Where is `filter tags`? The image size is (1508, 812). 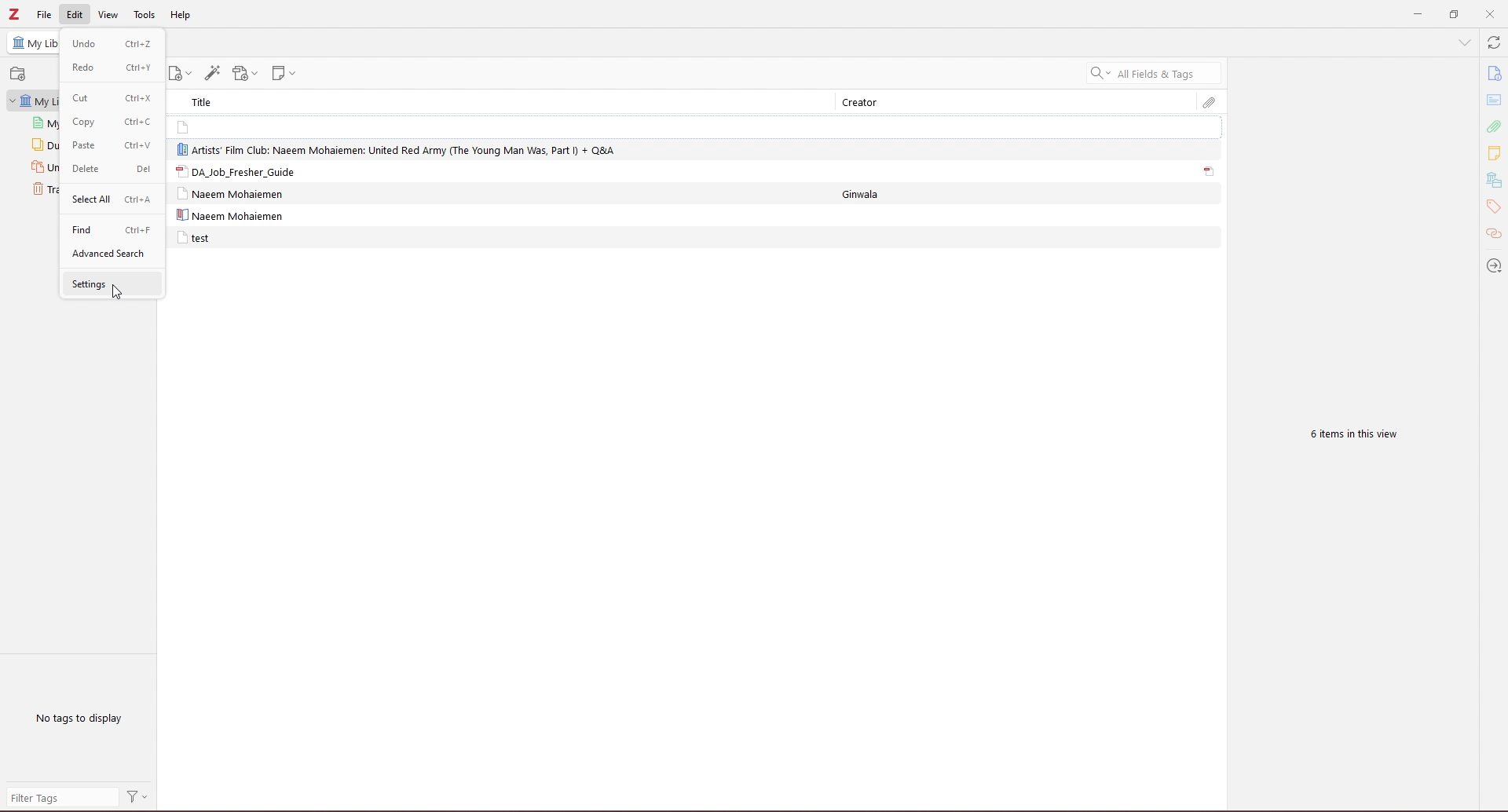
filter tags is located at coordinates (61, 797).